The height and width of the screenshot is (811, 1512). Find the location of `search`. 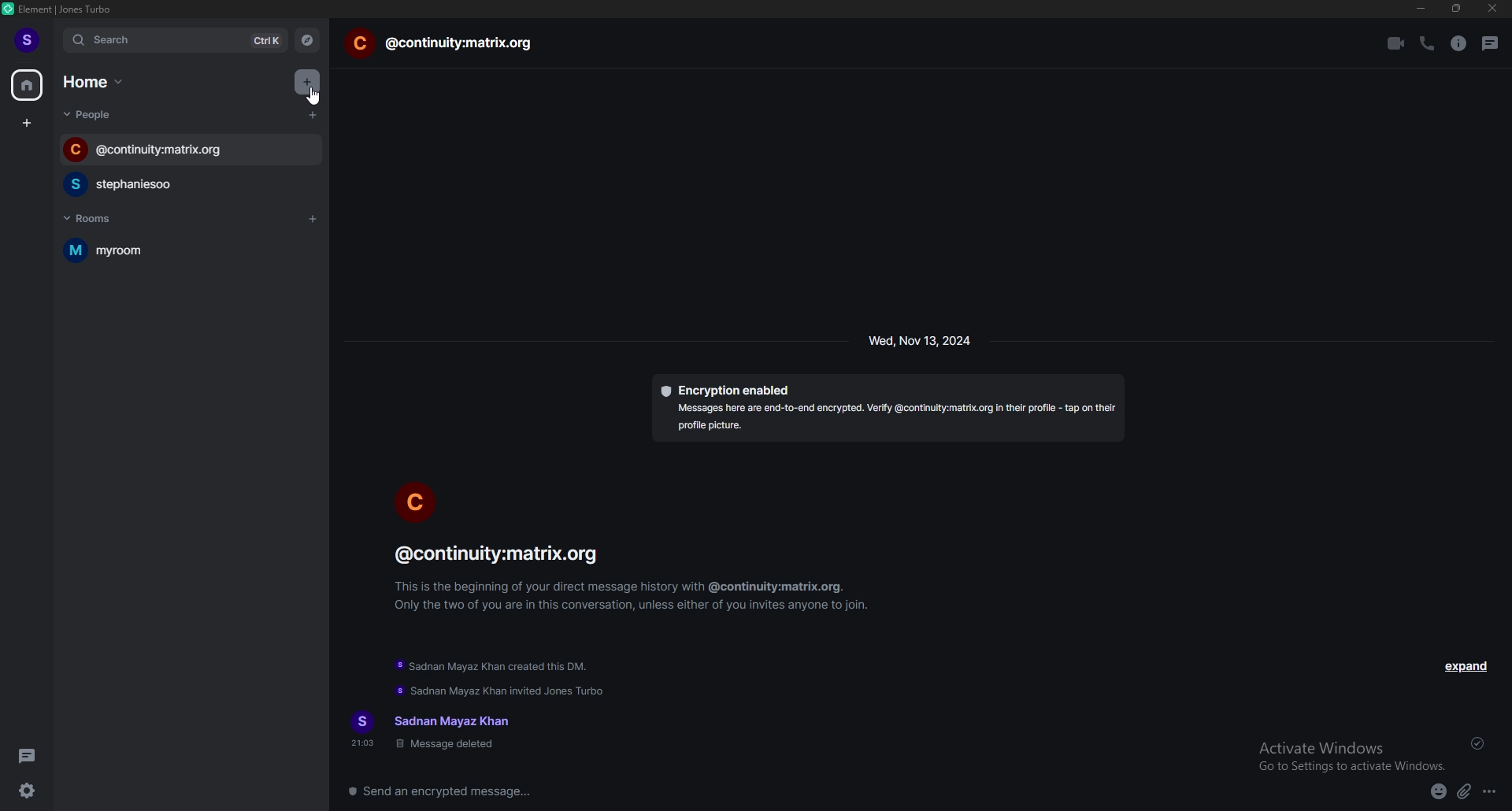

search is located at coordinates (177, 41).